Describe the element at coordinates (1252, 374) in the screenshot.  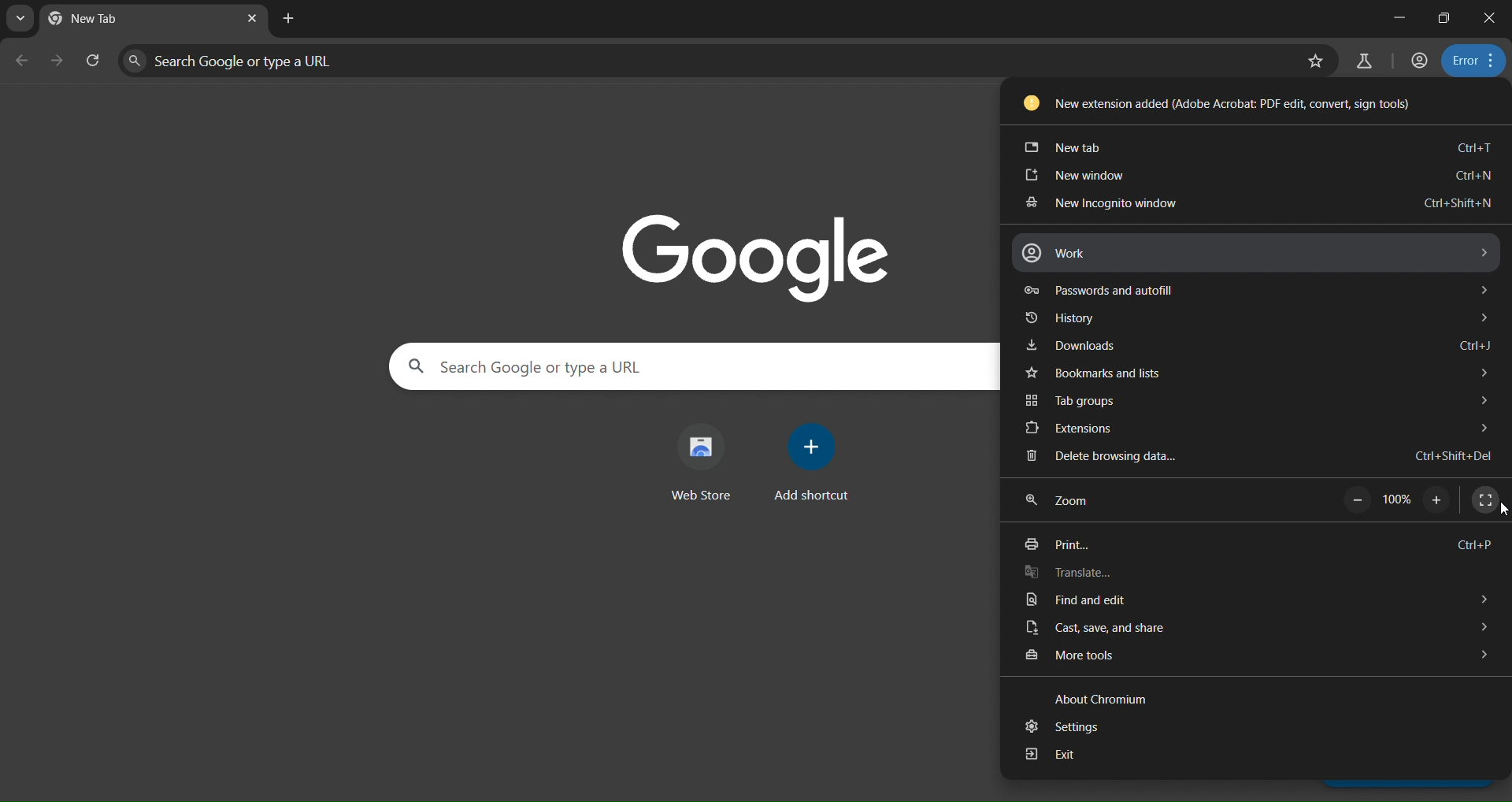
I see `bookmarks and lists` at that location.